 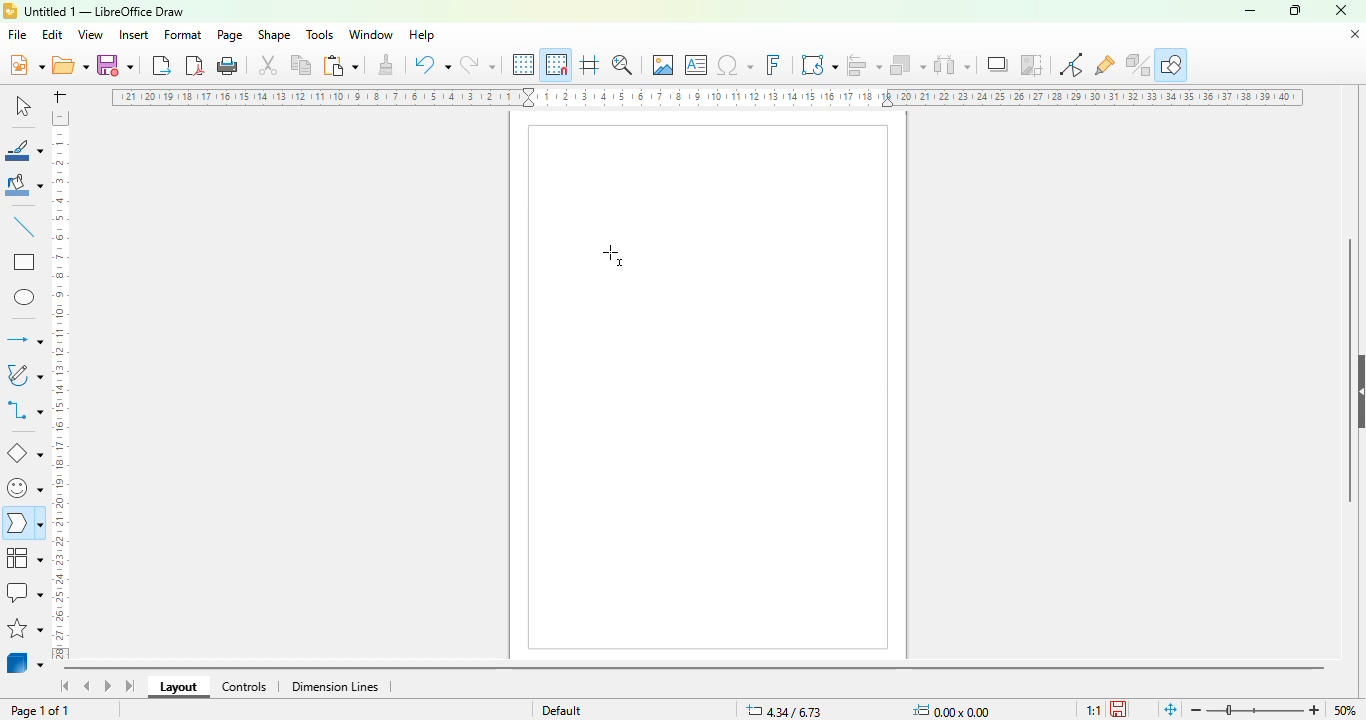 I want to click on basic shapes, so click(x=25, y=454).